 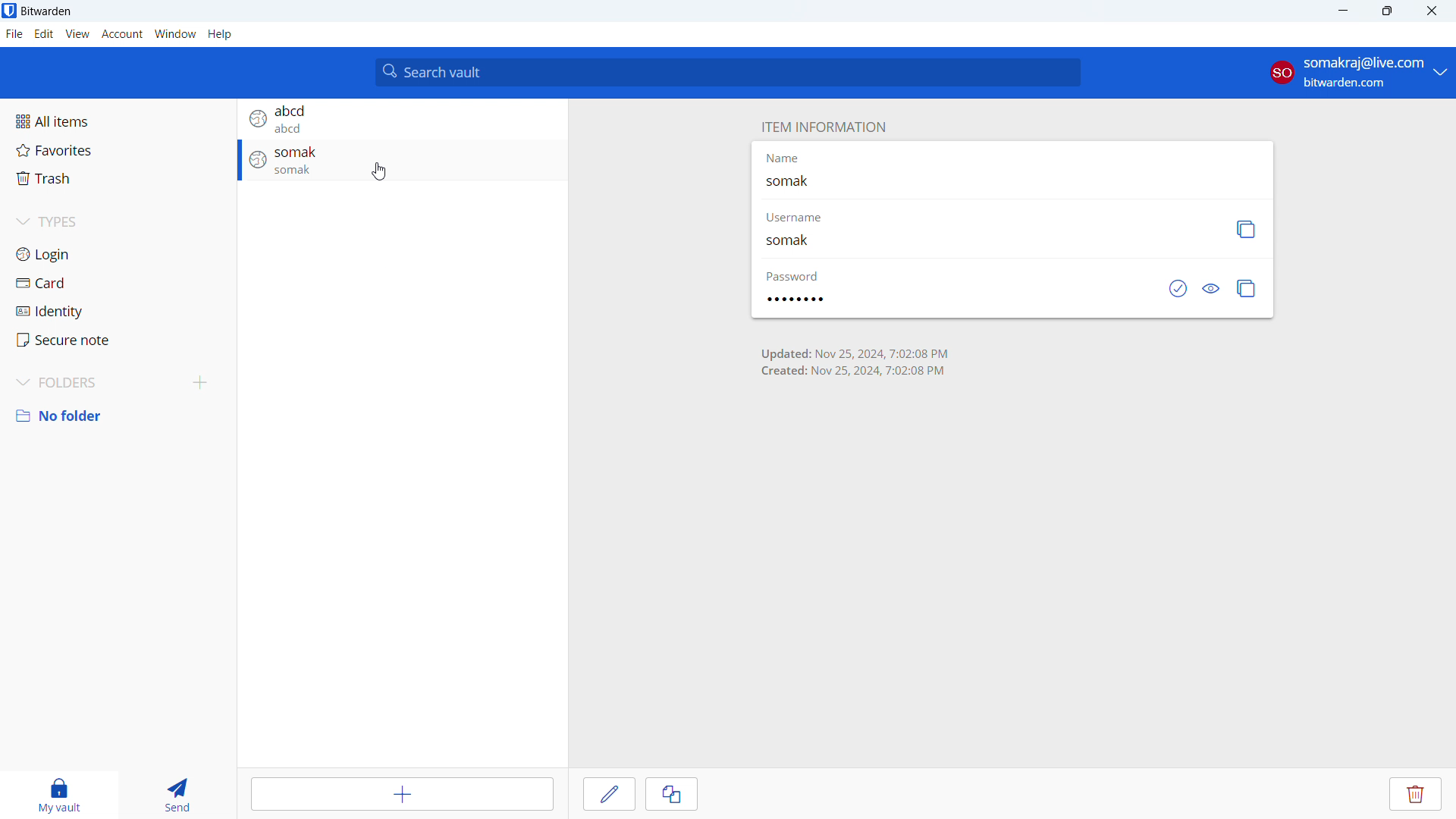 I want to click on username, so click(x=802, y=218).